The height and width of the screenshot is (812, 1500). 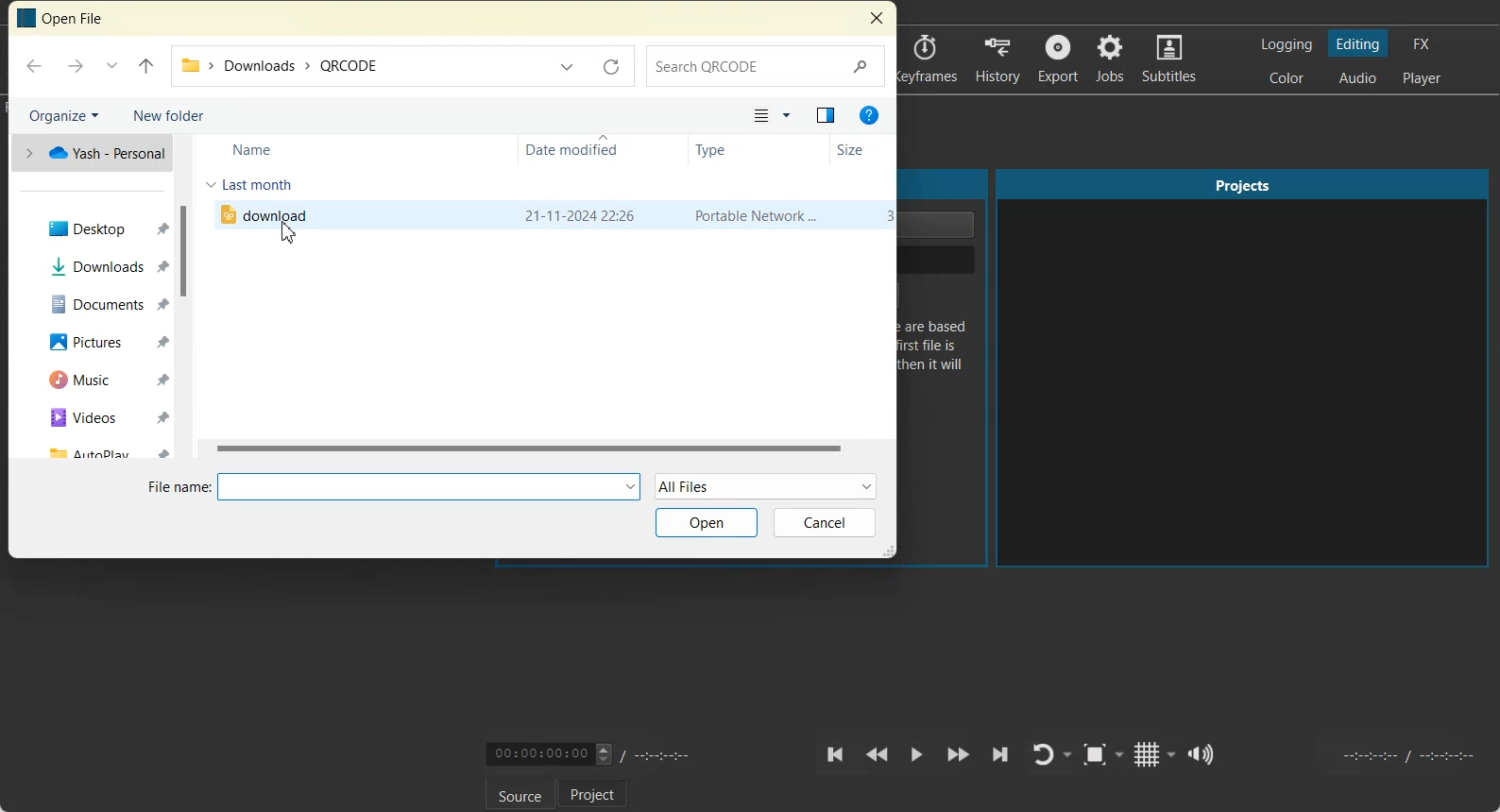 What do you see at coordinates (611, 66) in the screenshot?
I see `Refersh` at bounding box center [611, 66].